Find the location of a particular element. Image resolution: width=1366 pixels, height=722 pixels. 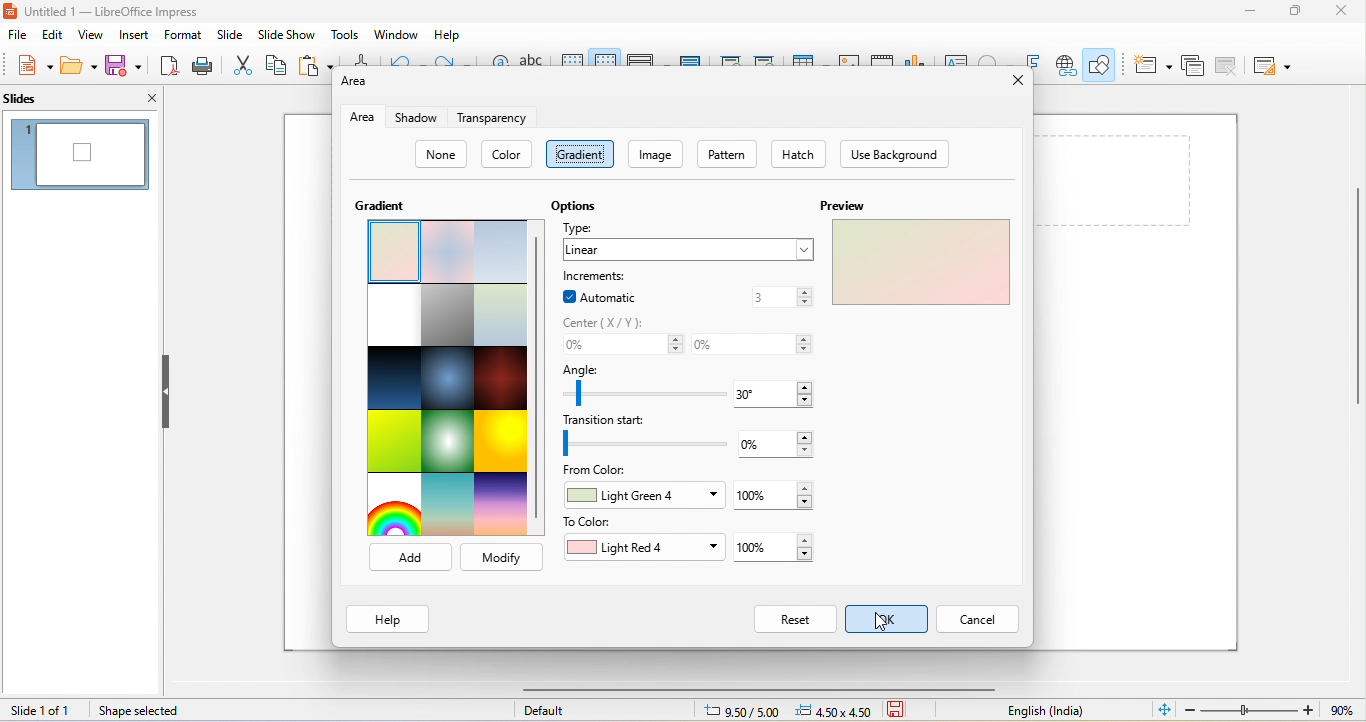

maximize is located at coordinates (1296, 12).